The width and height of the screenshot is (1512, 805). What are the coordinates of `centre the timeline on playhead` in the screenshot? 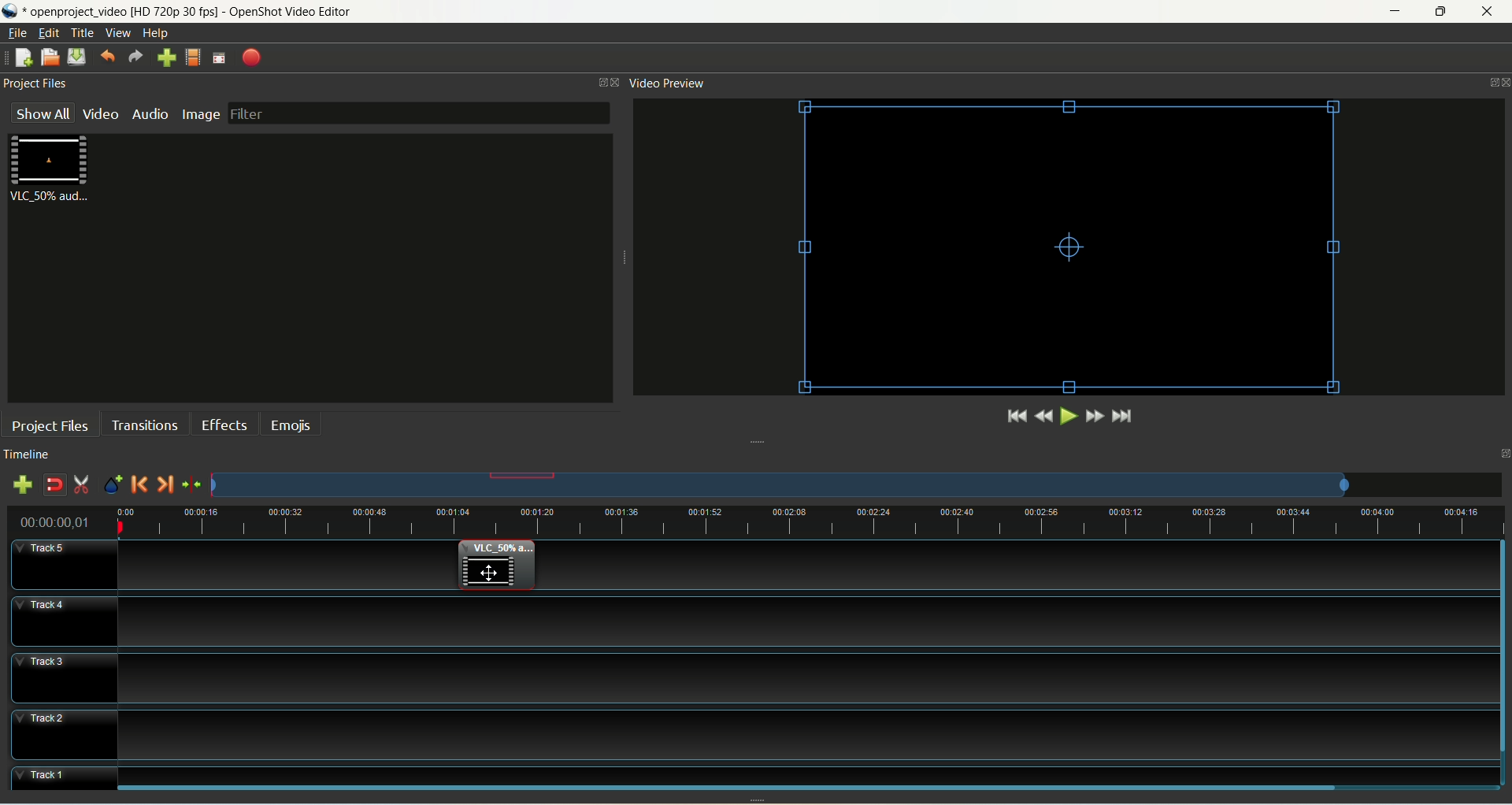 It's located at (191, 484).